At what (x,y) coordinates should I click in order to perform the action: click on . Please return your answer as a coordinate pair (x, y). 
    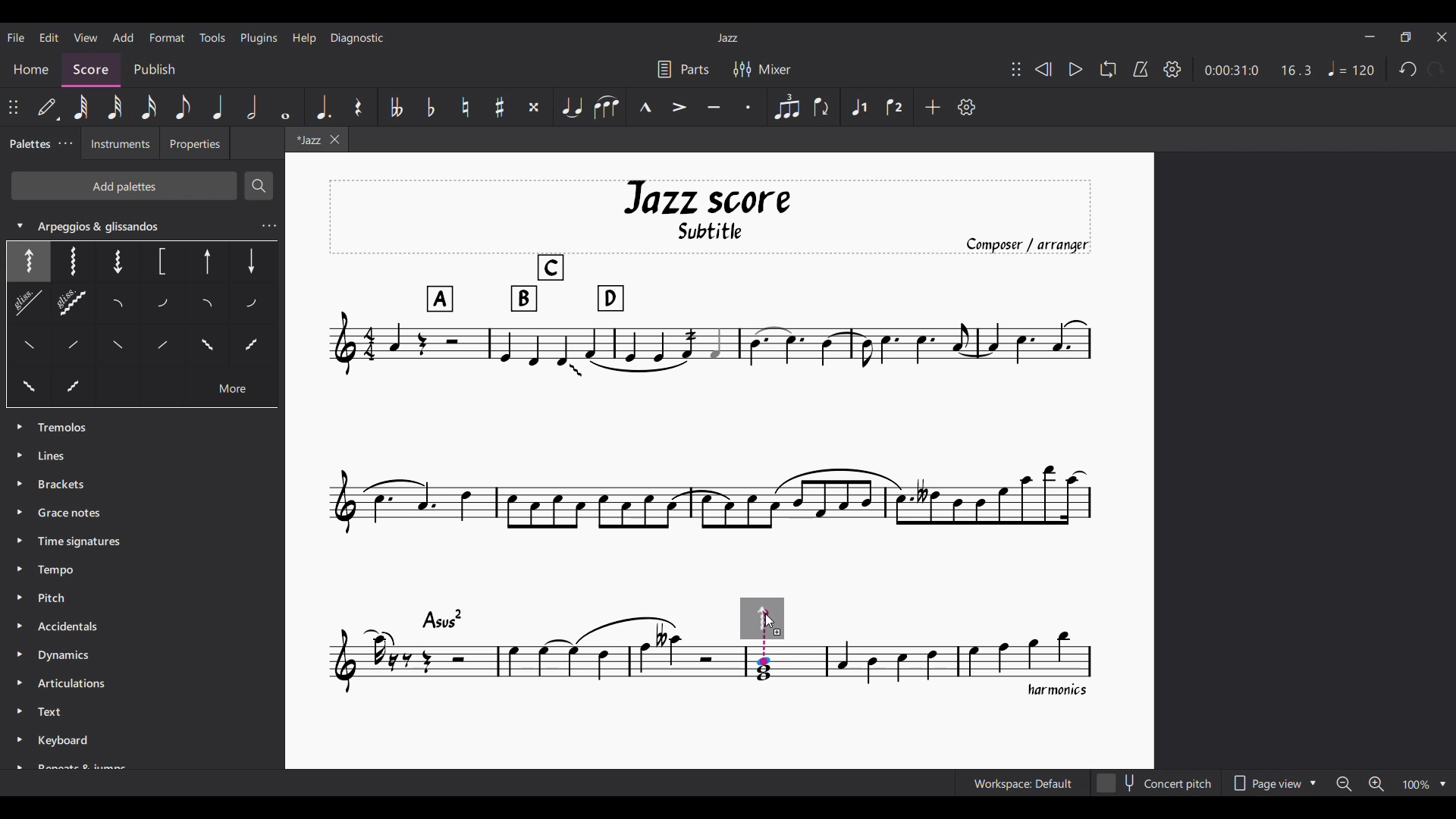
    Looking at the image, I should click on (236, 388).